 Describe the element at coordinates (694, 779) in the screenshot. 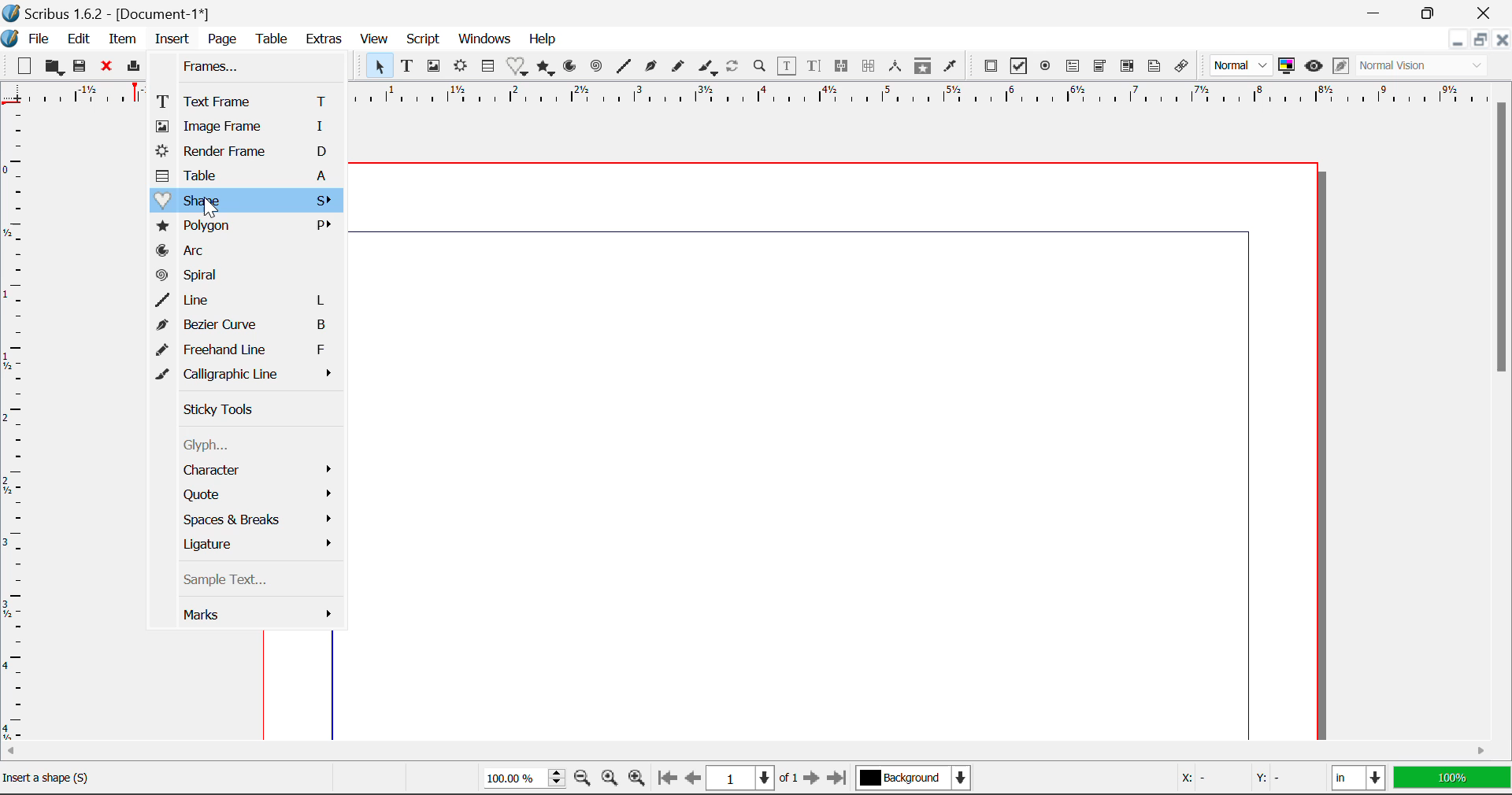

I see `Previous` at that location.